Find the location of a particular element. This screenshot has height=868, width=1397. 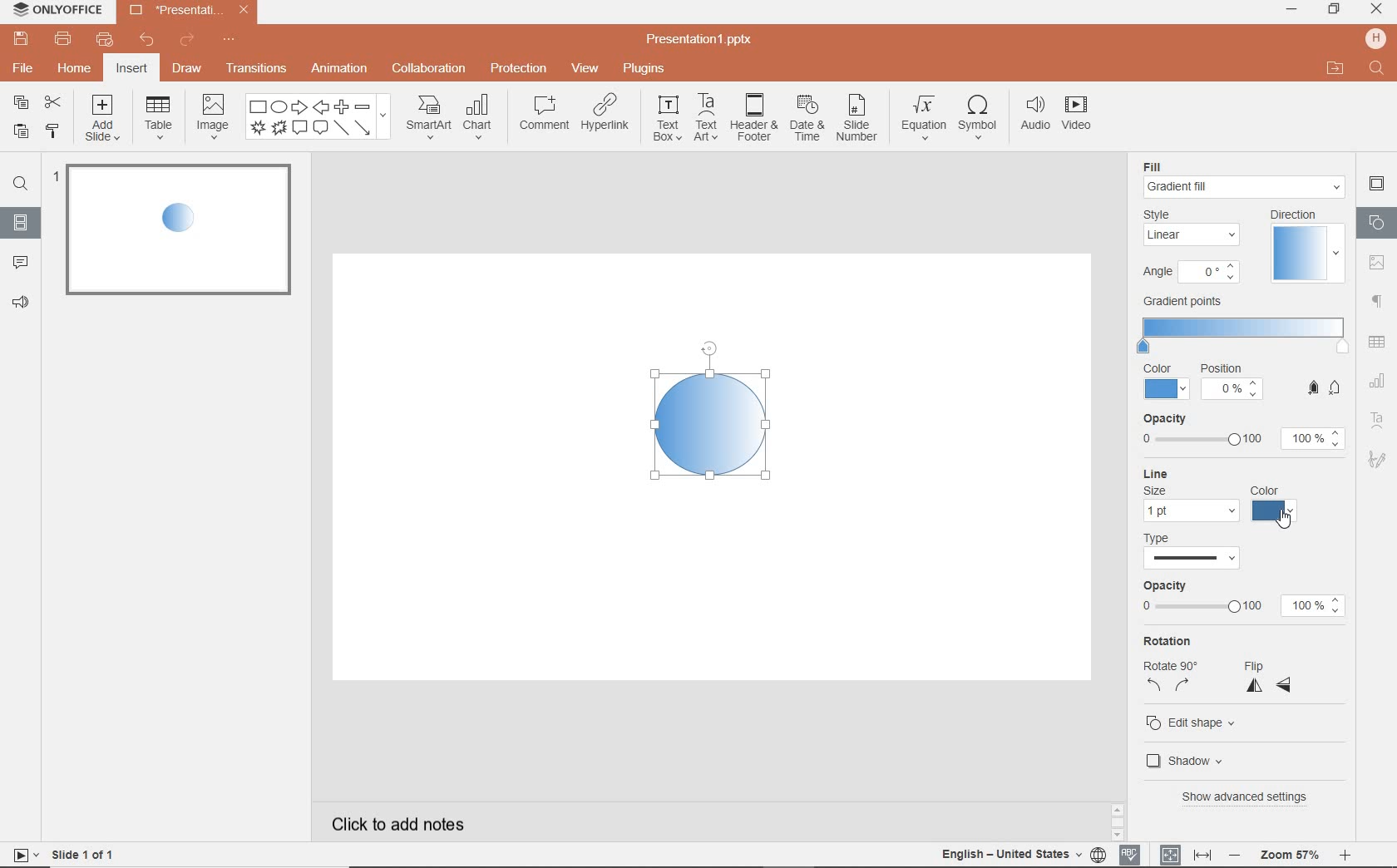

hyperlink is located at coordinates (607, 116).